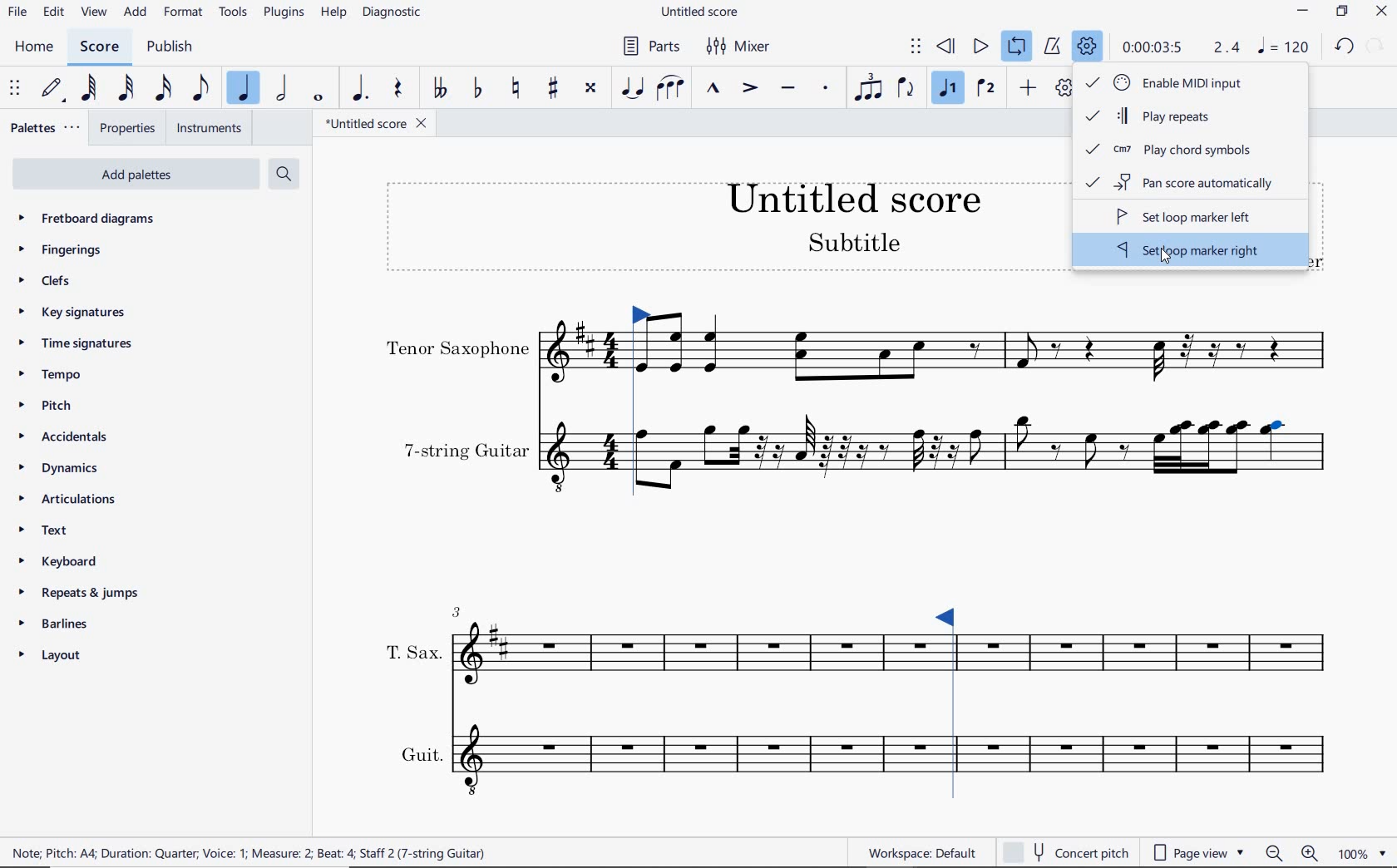 The image size is (1397, 868). I want to click on cursor, so click(1163, 261).